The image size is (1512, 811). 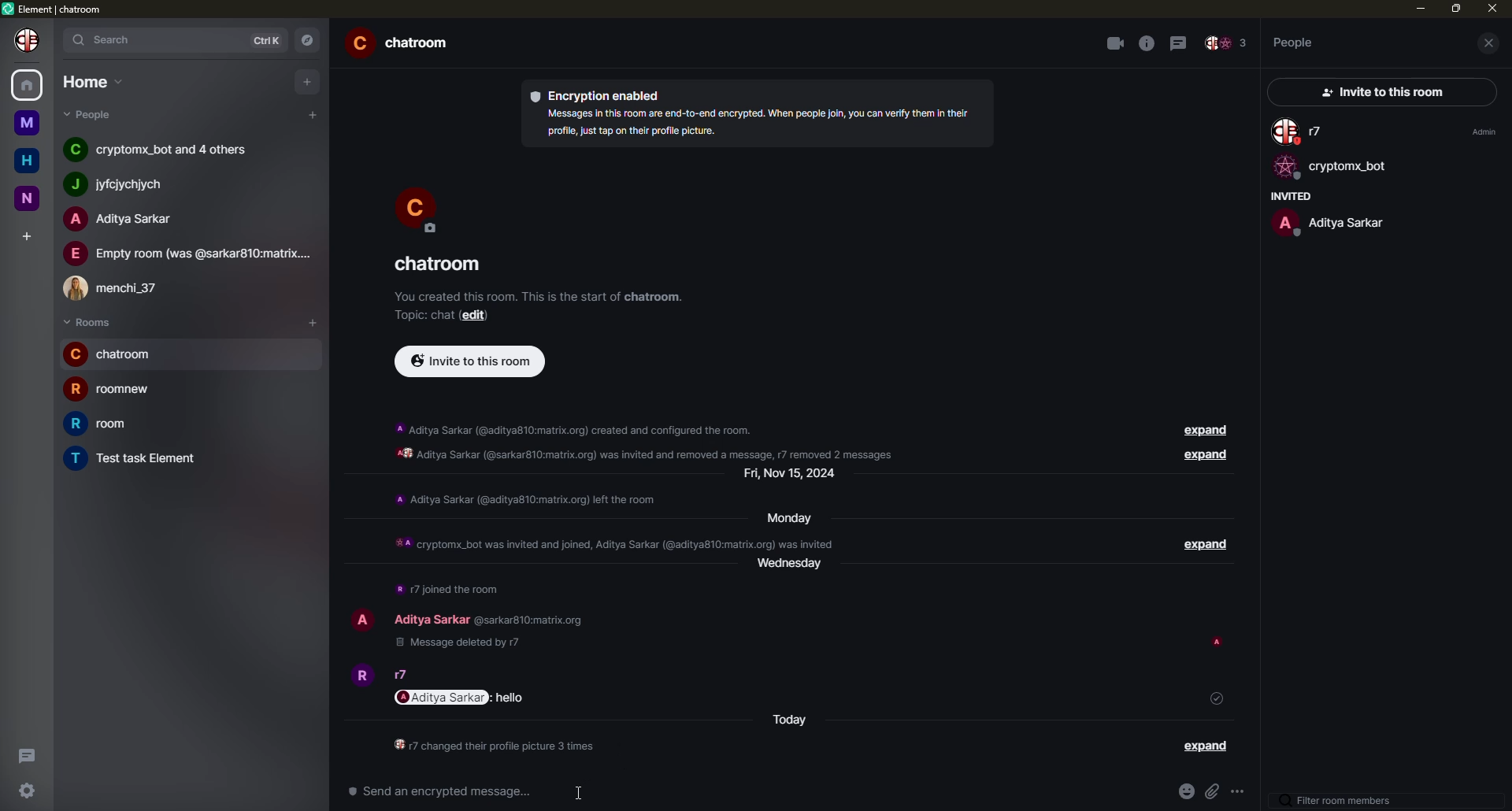 I want to click on home, so click(x=29, y=161).